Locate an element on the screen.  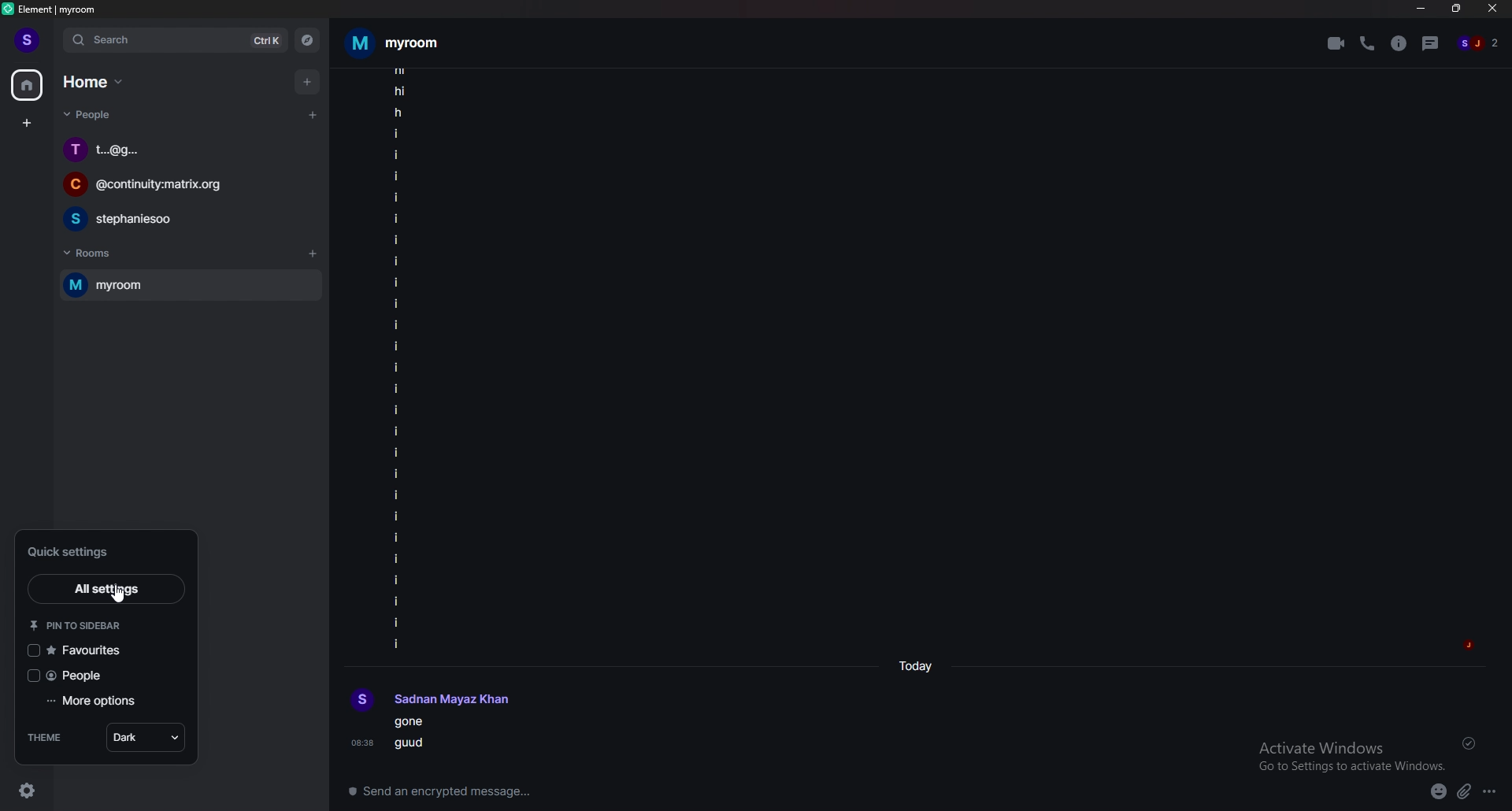
thread is located at coordinates (1432, 43).